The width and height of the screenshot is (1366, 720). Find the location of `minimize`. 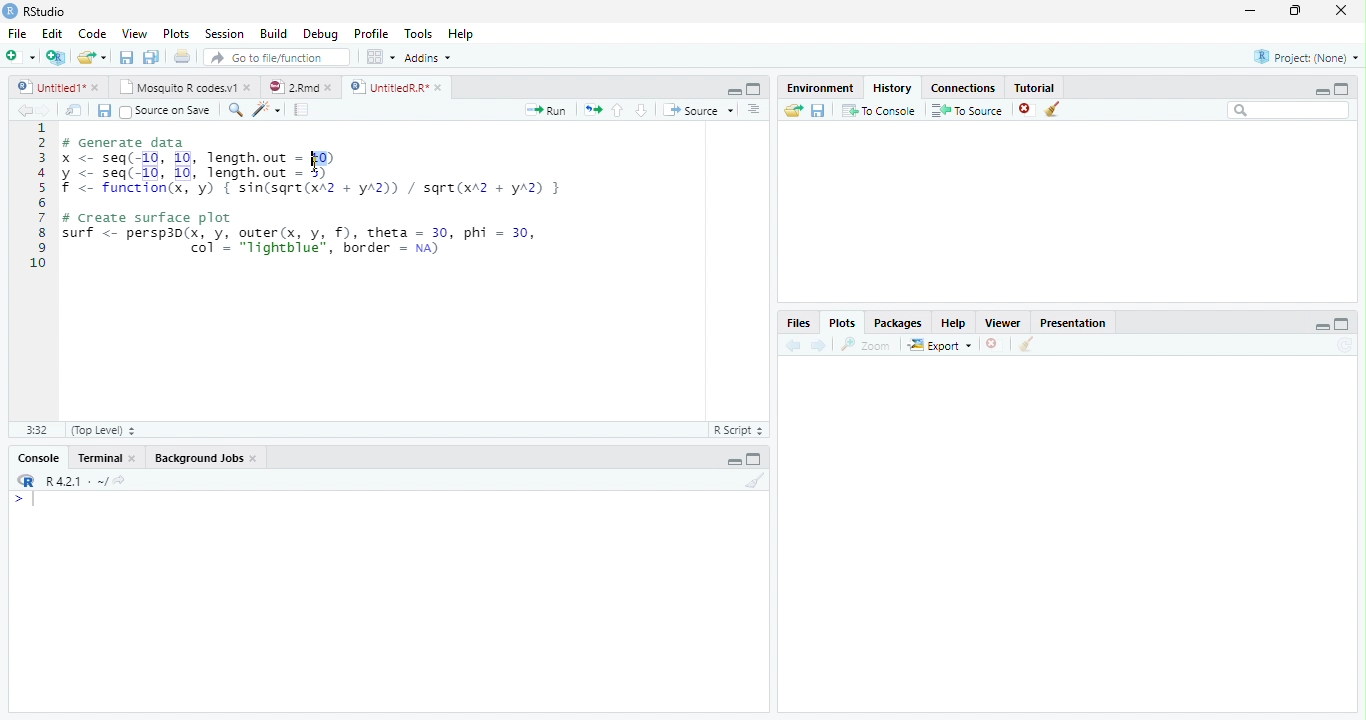

minimize is located at coordinates (1322, 91).